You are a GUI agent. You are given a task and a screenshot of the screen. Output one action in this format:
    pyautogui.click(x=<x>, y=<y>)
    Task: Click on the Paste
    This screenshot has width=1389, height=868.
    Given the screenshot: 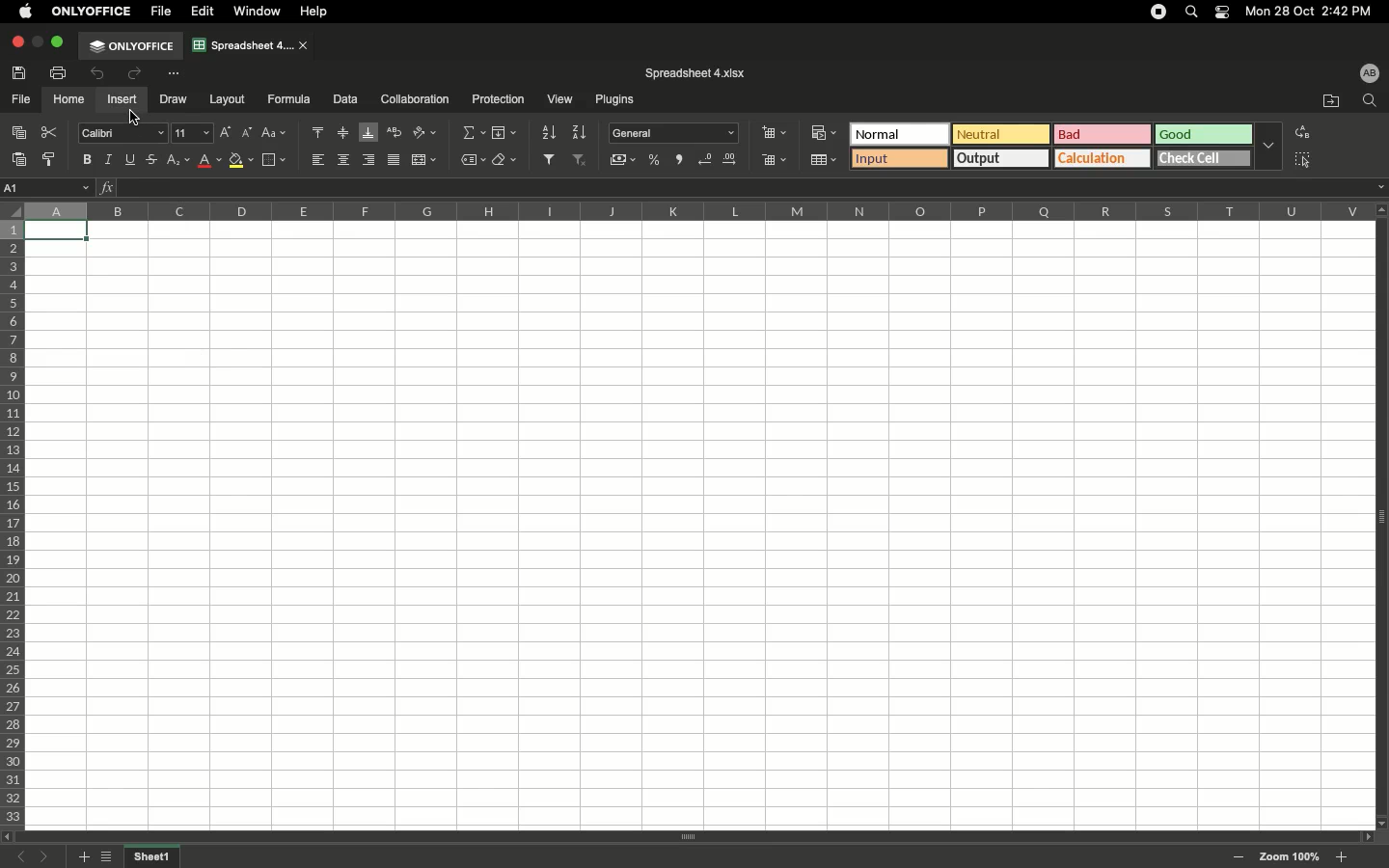 What is the action you would take?
    pyautogui.click(x=21, y=159)
    